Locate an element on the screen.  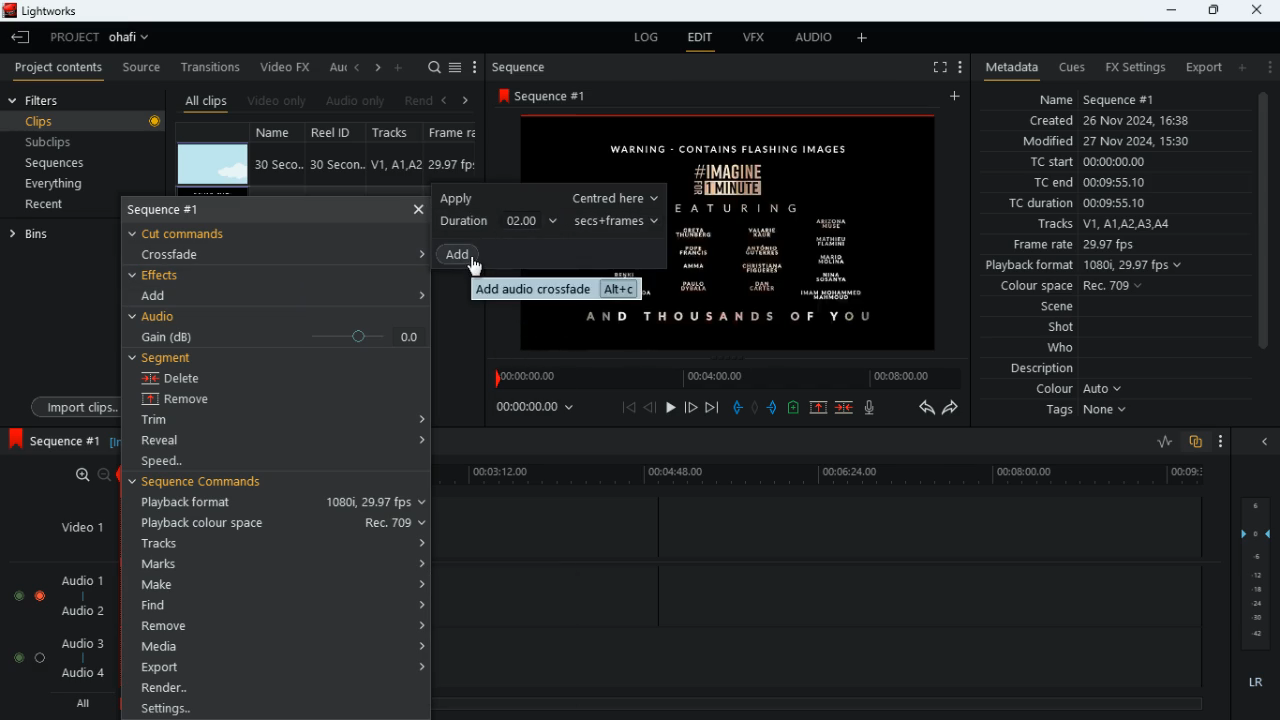
Accordion is located at coordinates (417, 413).